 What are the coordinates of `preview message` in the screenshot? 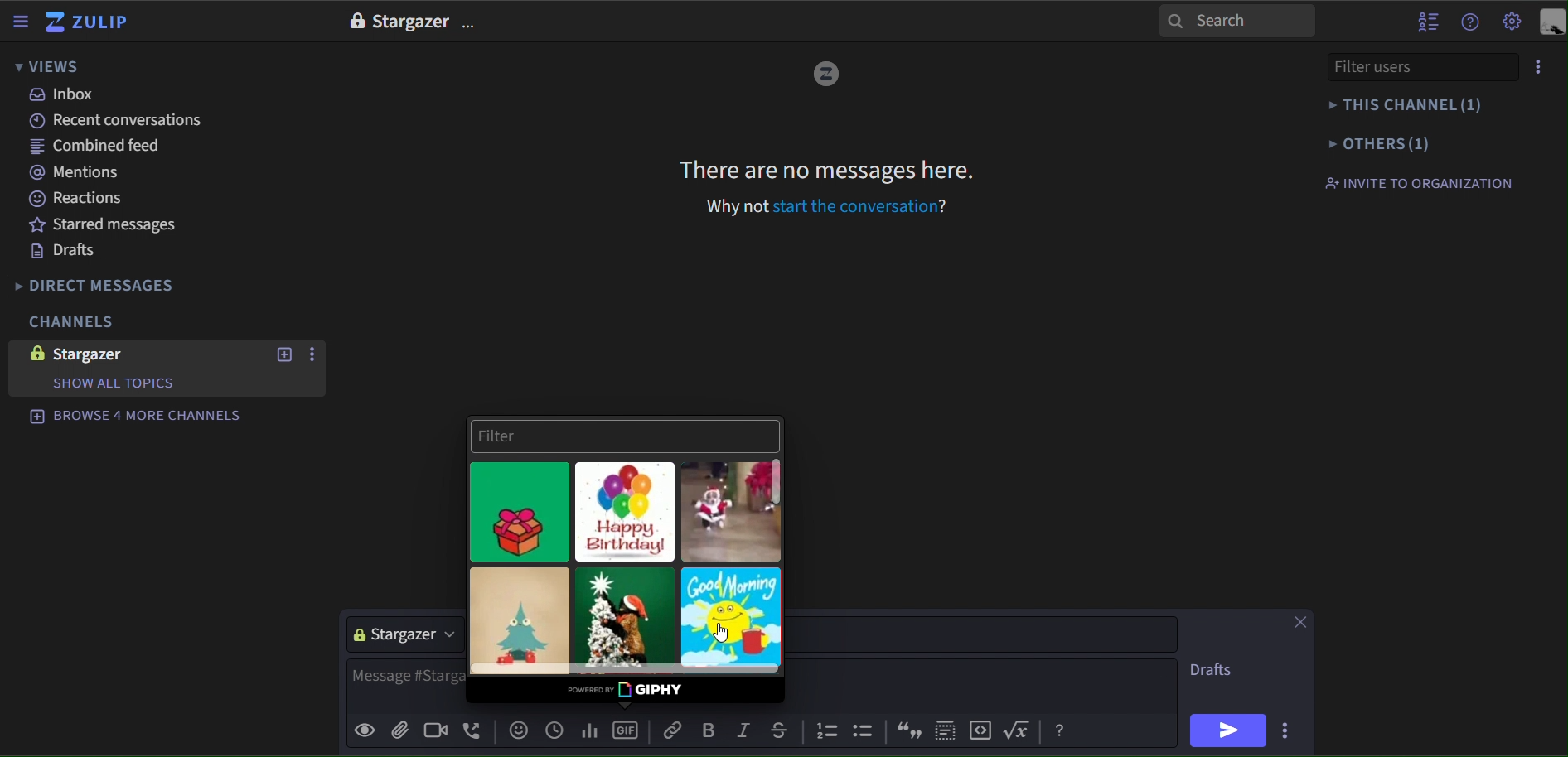 It's located at (365, 732).